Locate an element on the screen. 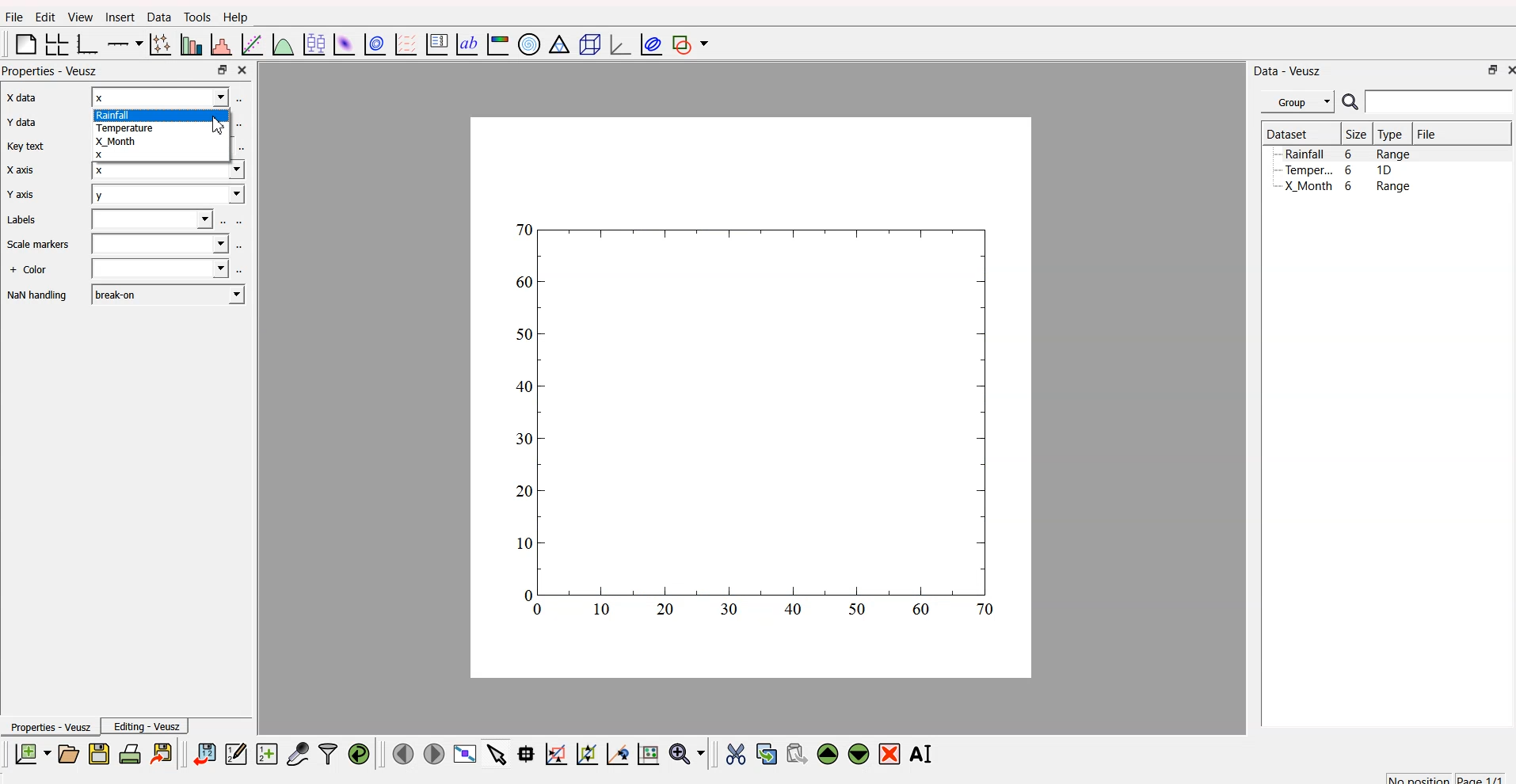  Group is located at coordinates (1297, 102).